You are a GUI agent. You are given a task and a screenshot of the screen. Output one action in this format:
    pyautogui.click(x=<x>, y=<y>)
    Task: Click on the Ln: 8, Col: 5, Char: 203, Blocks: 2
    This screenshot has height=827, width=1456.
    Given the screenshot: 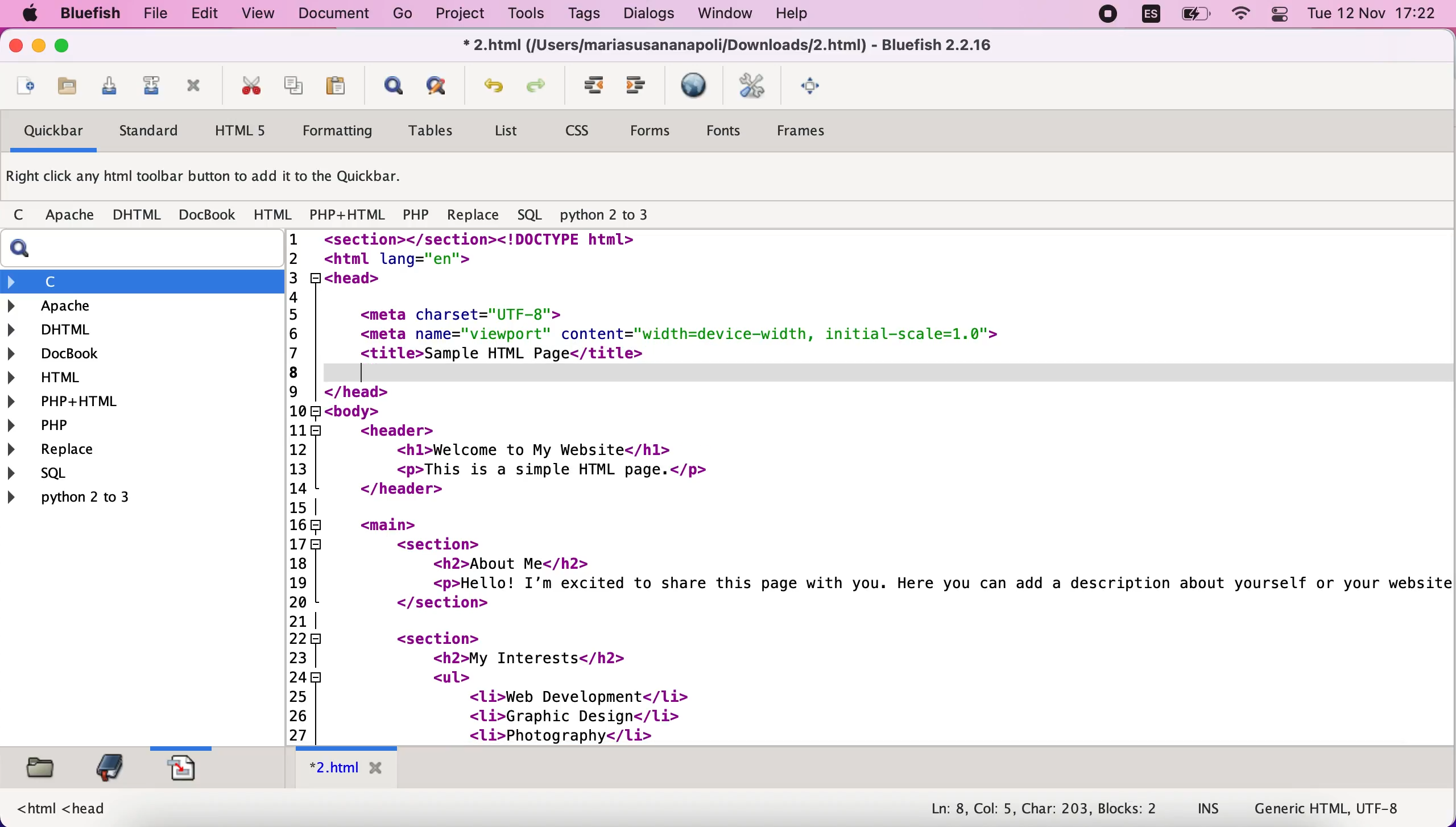 What is the action you would take?
    pyautogui.click(x=1040, y=807)
    